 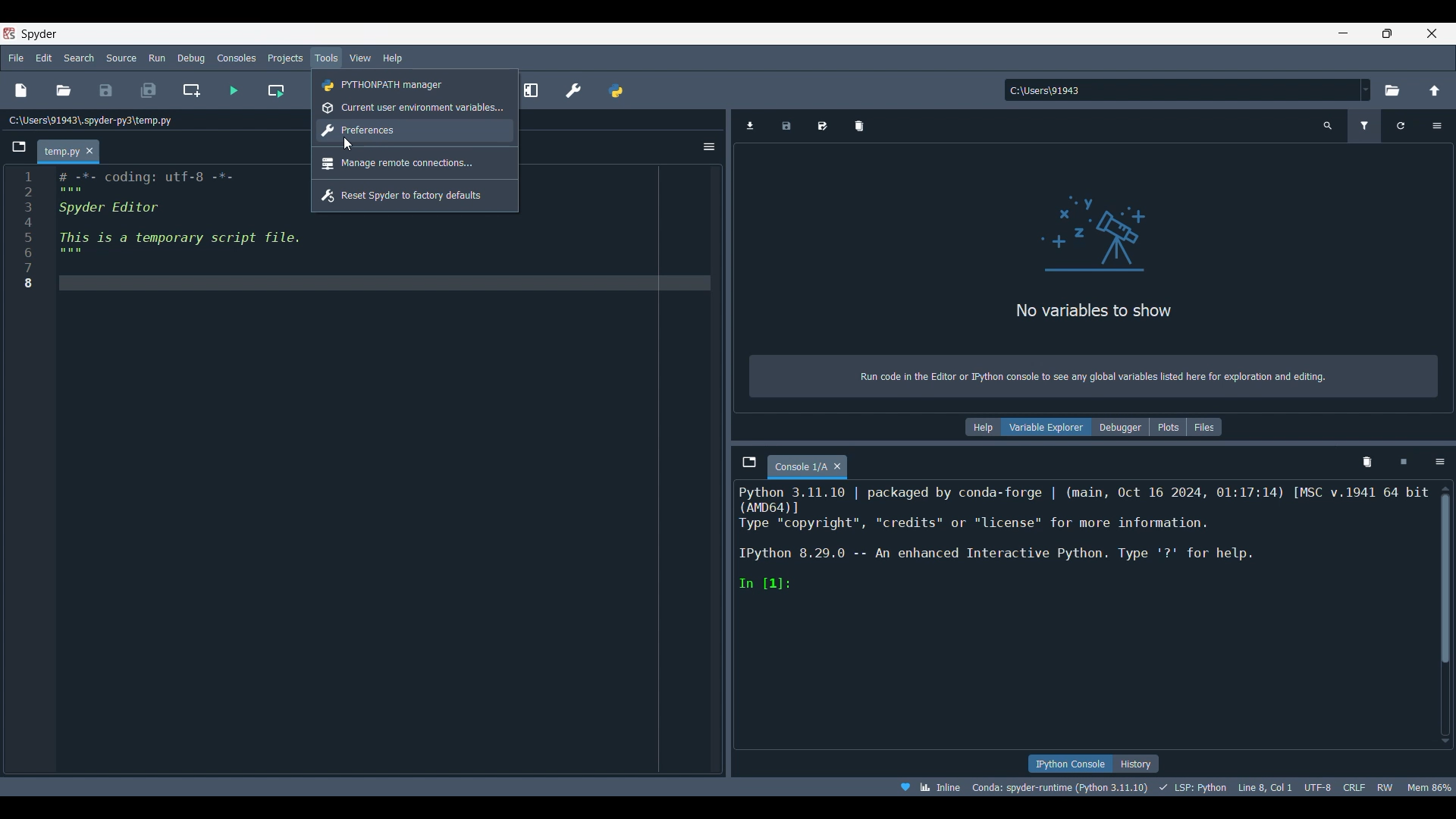 I want to click on View menu, so click(x=360, y=58).